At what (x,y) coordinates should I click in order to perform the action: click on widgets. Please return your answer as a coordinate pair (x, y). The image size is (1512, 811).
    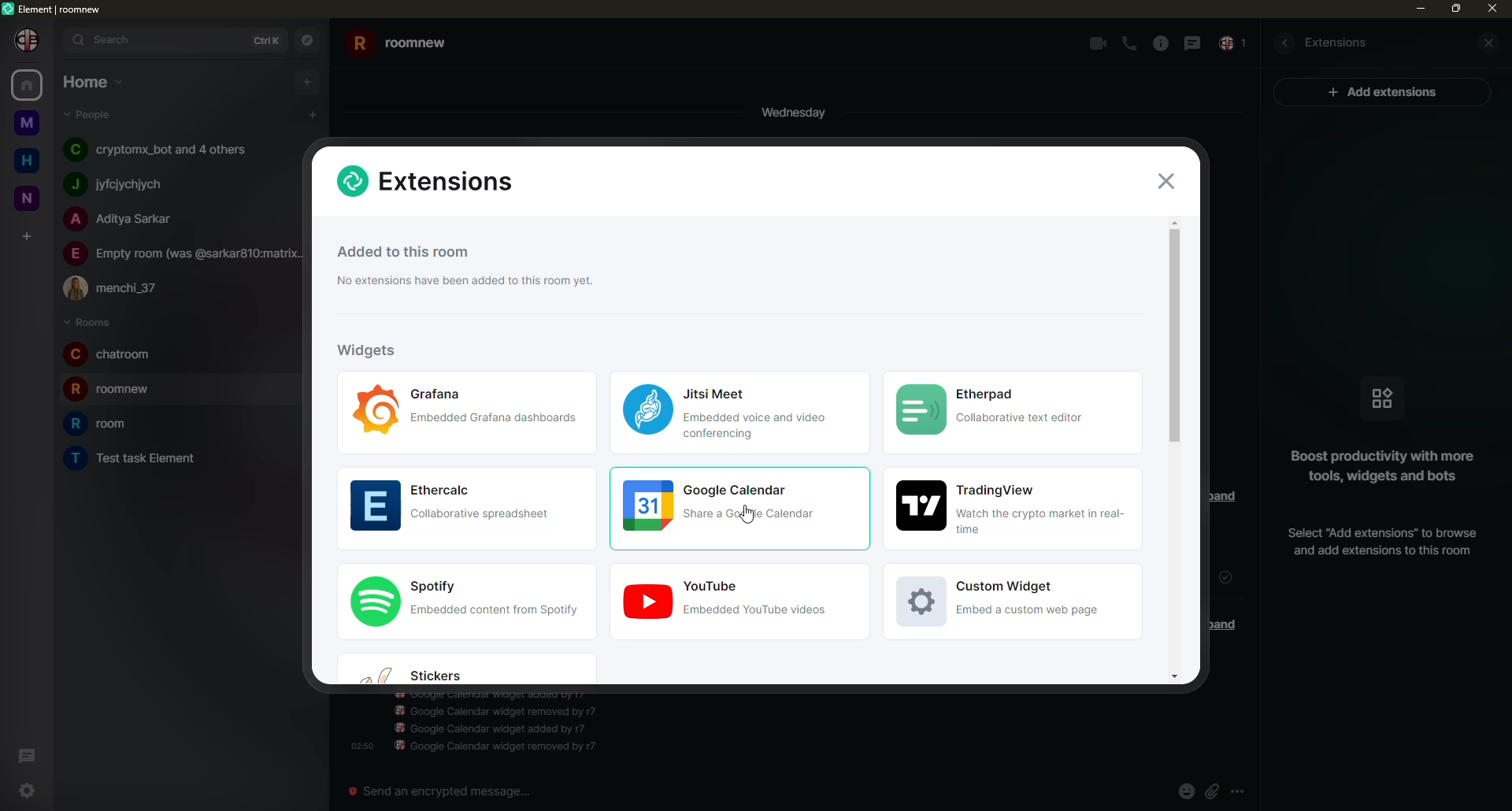
    Looking at the image, I should click on (372, 351).